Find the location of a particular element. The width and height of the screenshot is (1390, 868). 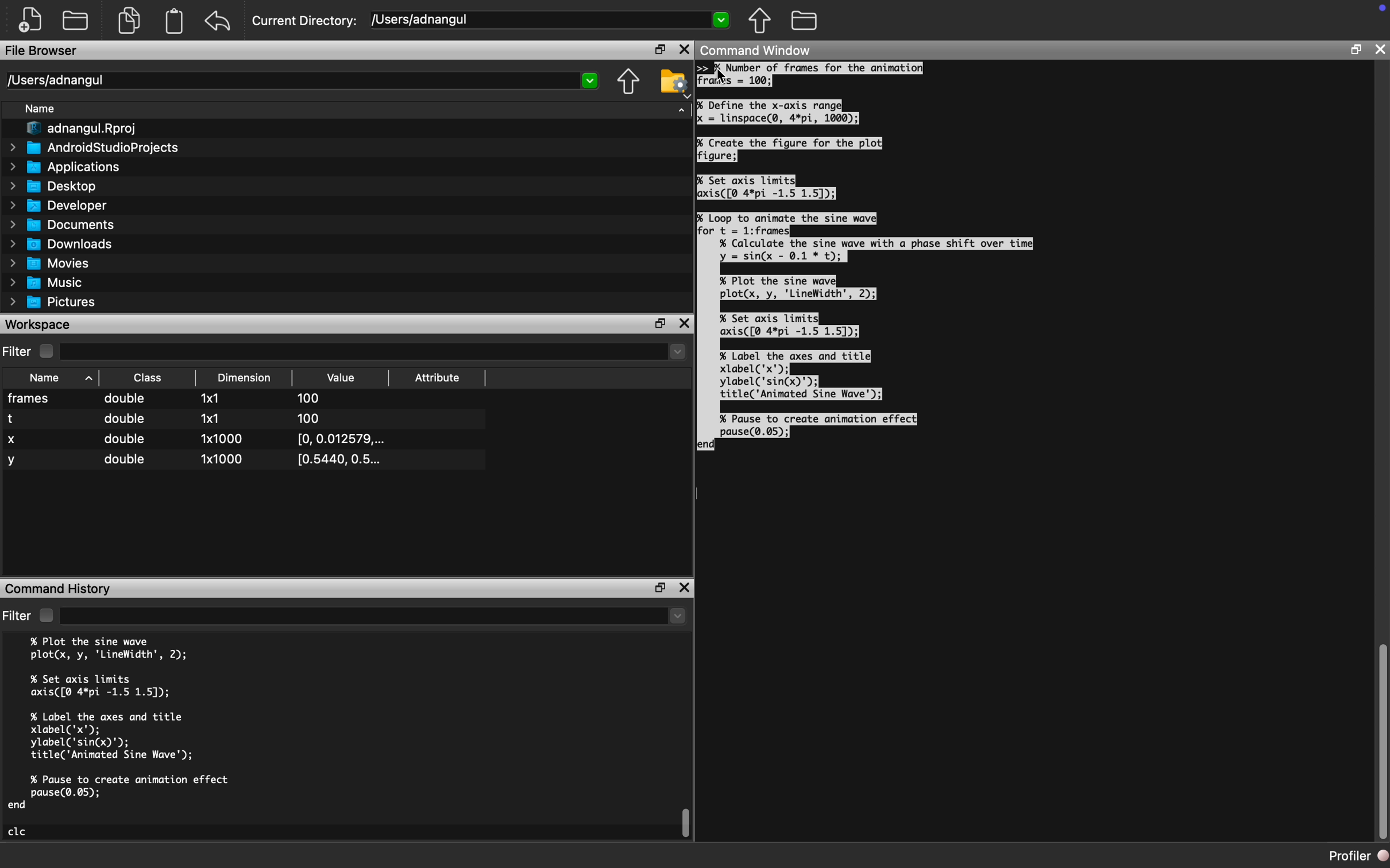

t double x1 100 is located at coordinates (173, 418).